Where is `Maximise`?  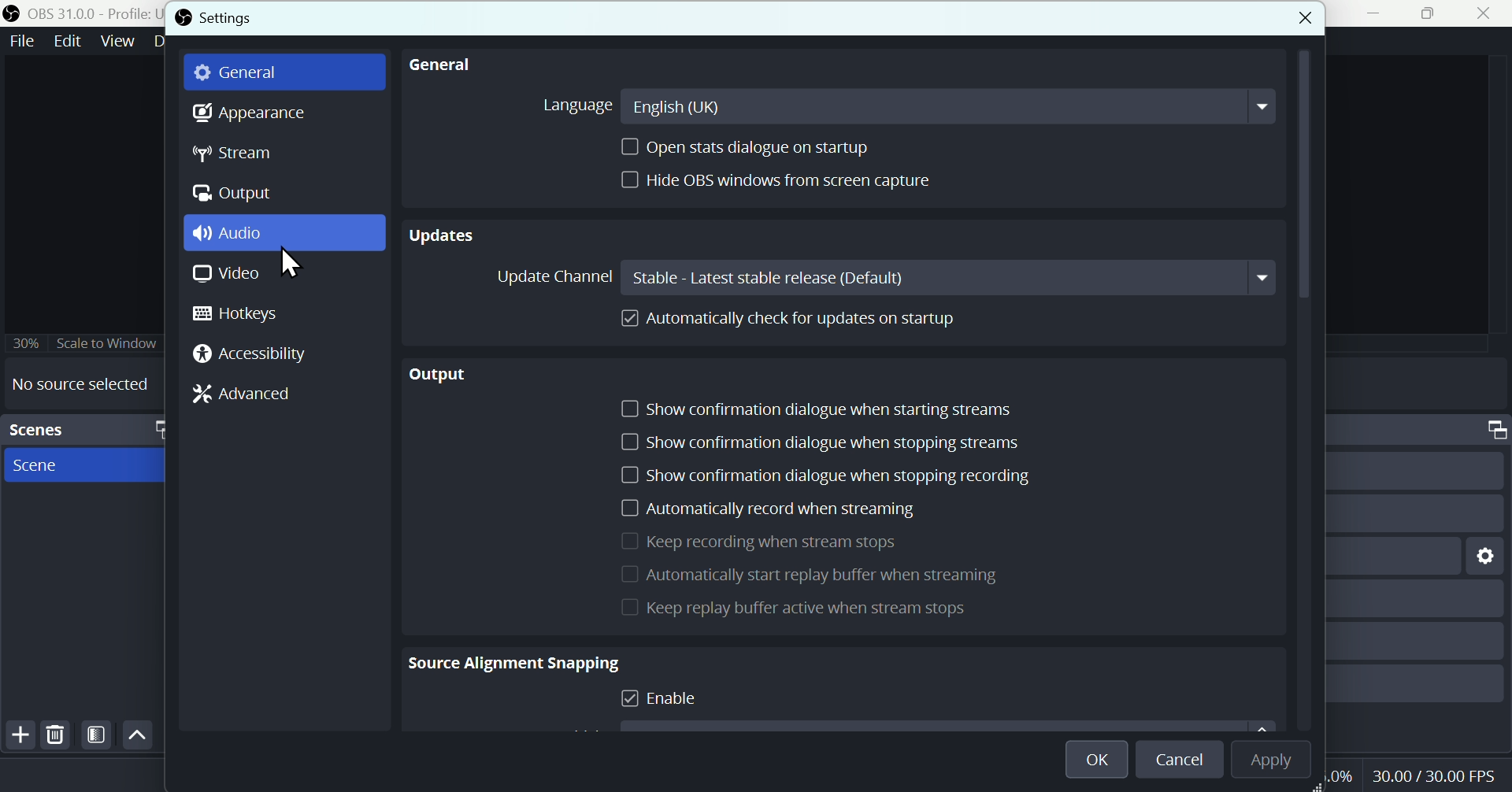 Maximise is located at coordinates (1430, 13).